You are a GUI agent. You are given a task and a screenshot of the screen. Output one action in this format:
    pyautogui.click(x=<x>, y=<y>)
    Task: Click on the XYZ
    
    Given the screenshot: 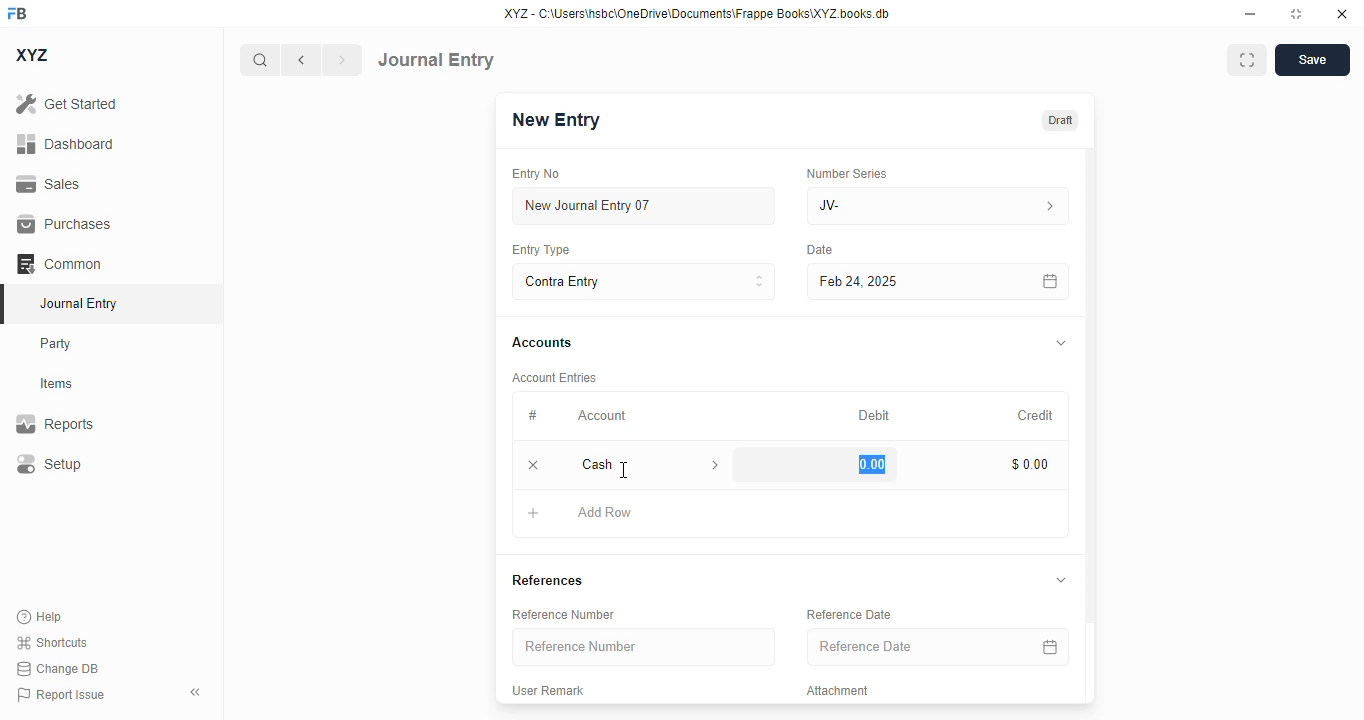 What is the action you would take?
    pyautogui.click(x=31, y=55)
    